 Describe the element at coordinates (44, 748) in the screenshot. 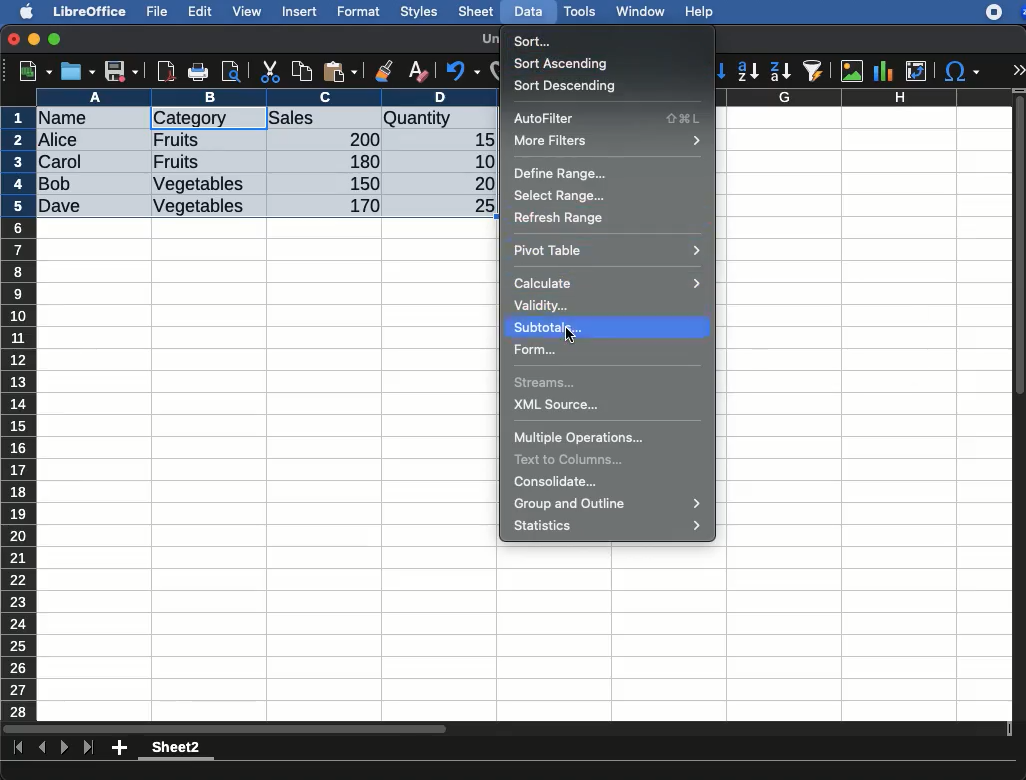

I see `previous sheet` at that location.